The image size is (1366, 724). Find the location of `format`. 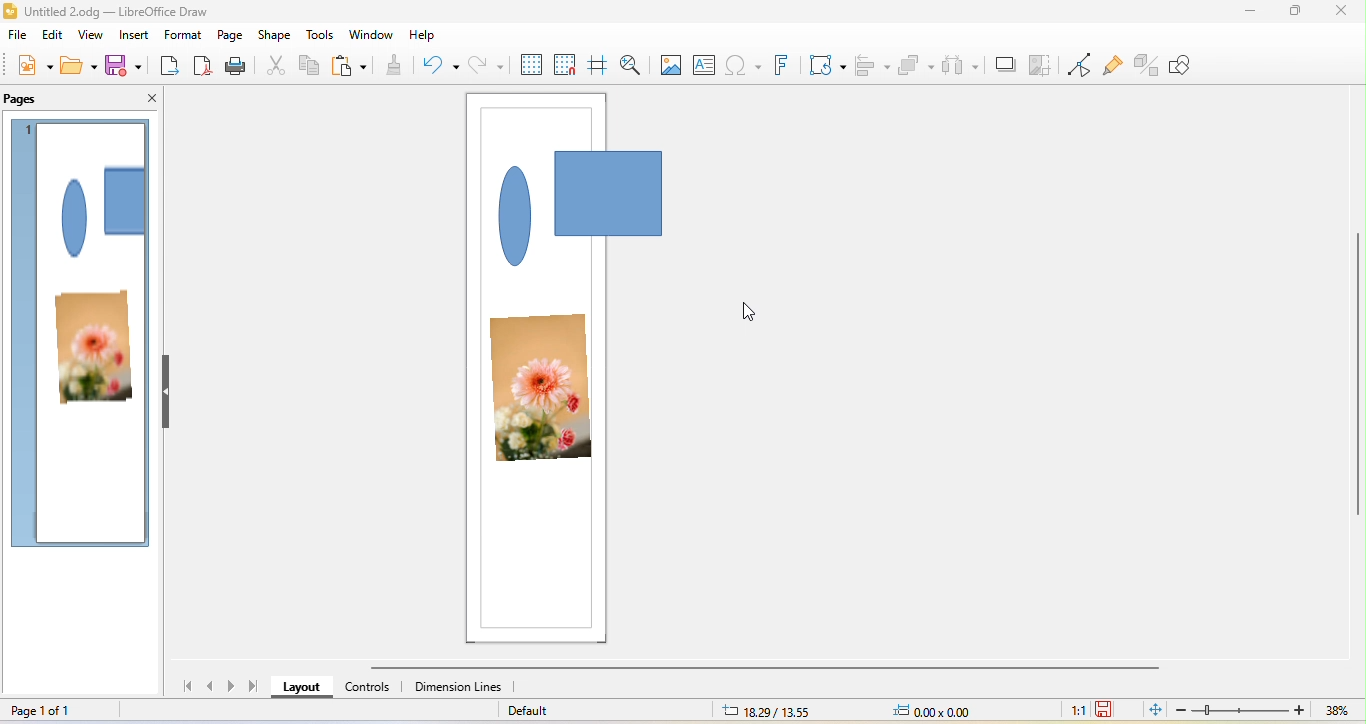

format is located at coordinates (183, 35).